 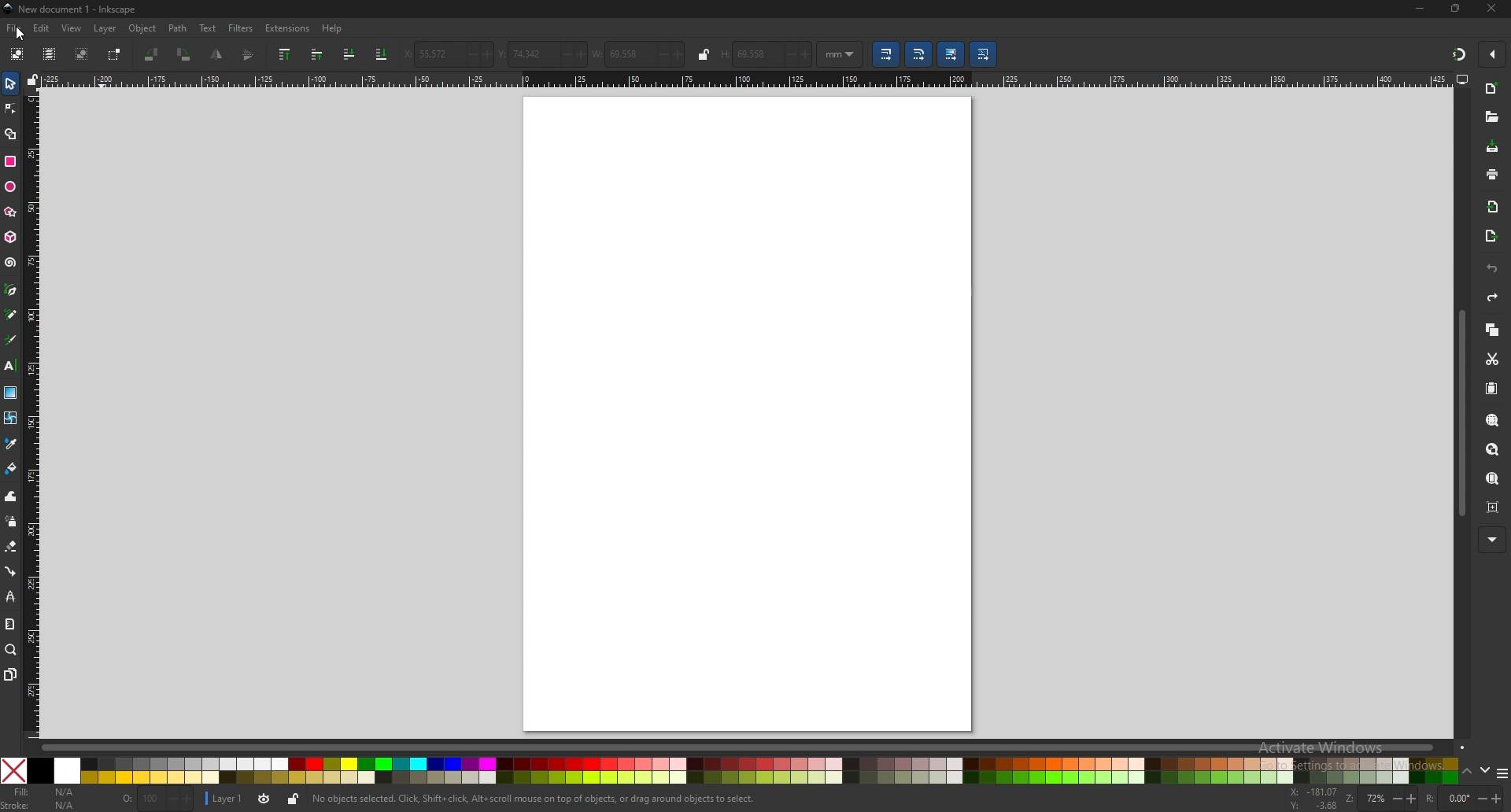 What do you see at coordinates (11, 364) in the screenshot?
I see `text` at bounding box center [11, 364].